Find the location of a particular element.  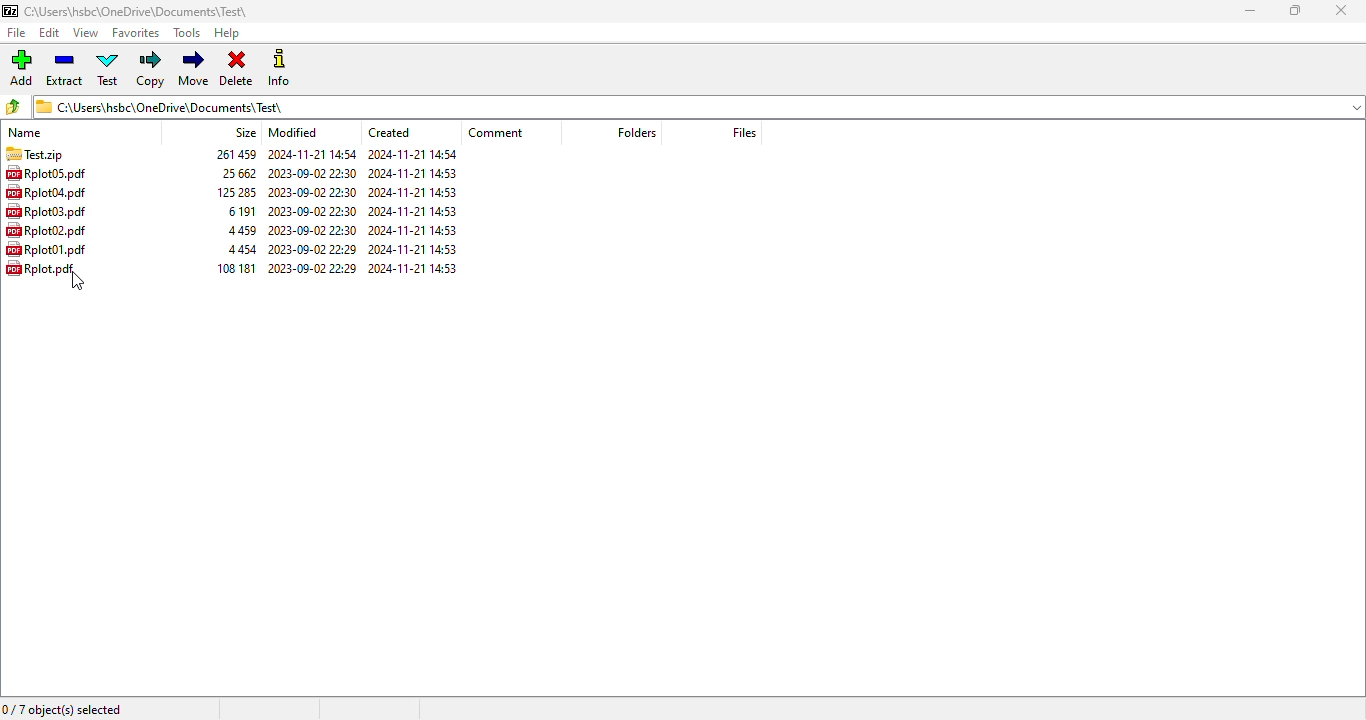

 Rplot02.pdf is located at coordinates (47, 232).